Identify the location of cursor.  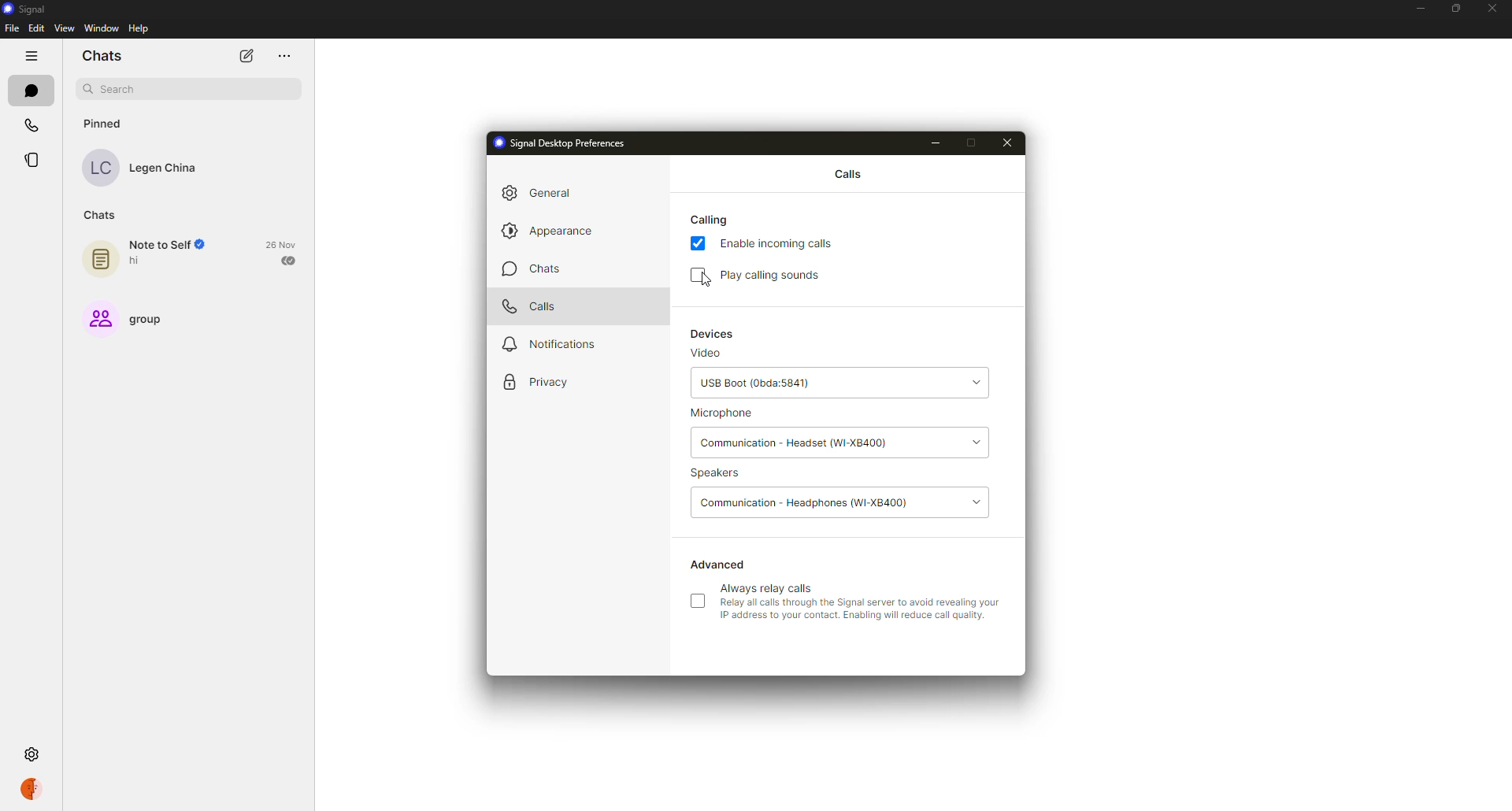
(705, 283).